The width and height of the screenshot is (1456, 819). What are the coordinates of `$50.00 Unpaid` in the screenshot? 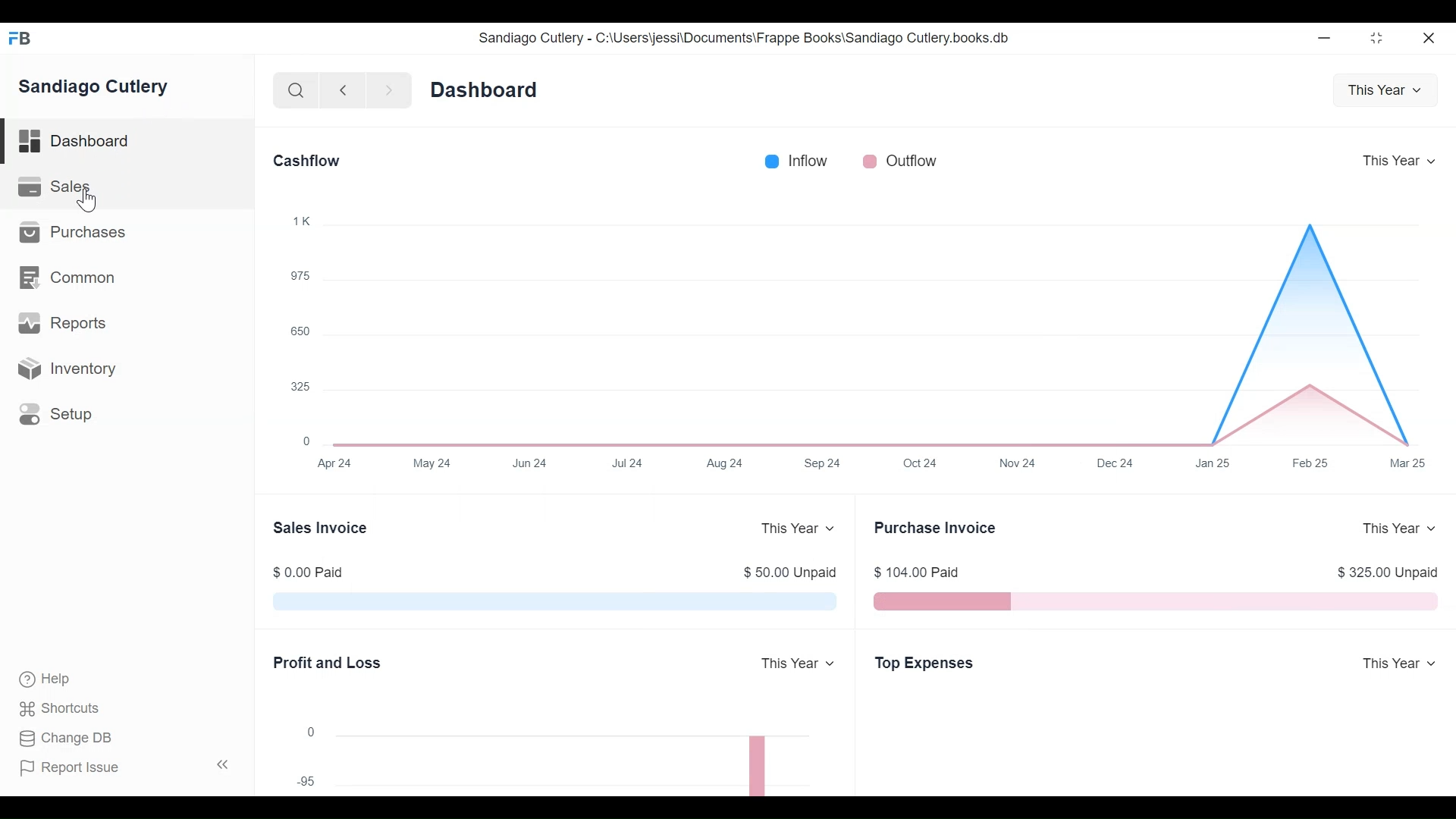 It's located at (784, 572).